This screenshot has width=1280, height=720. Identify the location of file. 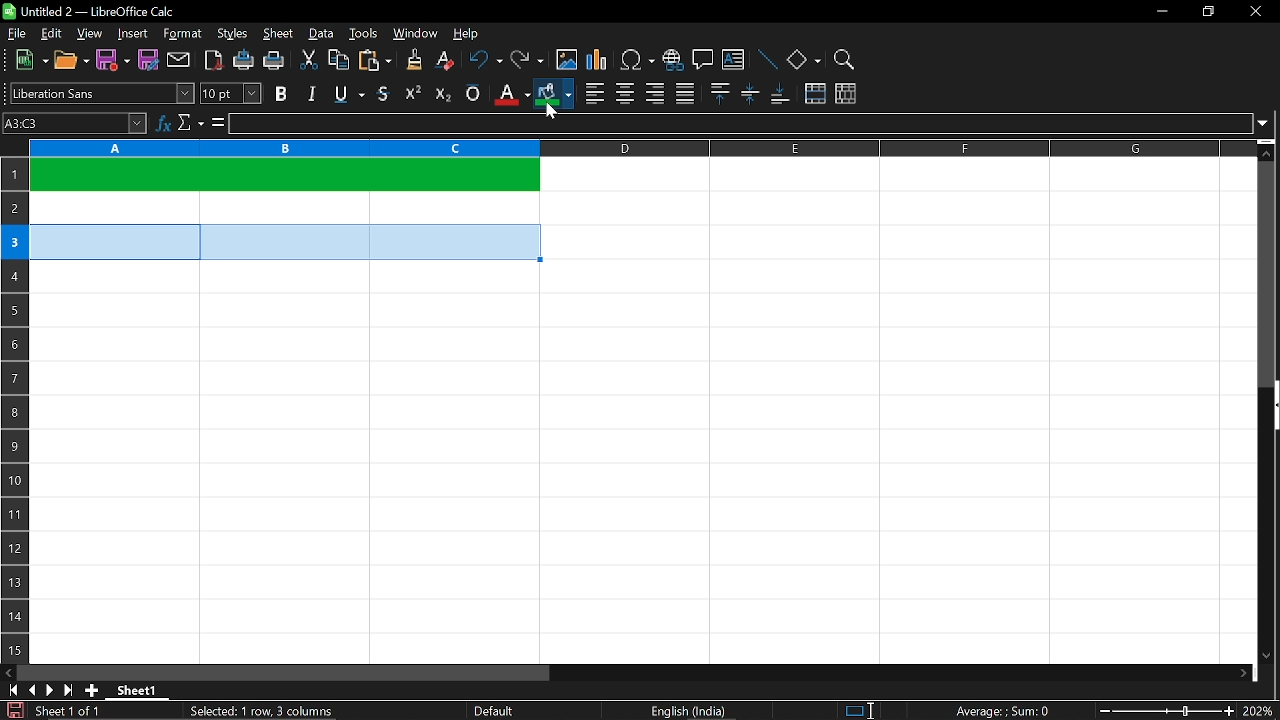
(17, 33).